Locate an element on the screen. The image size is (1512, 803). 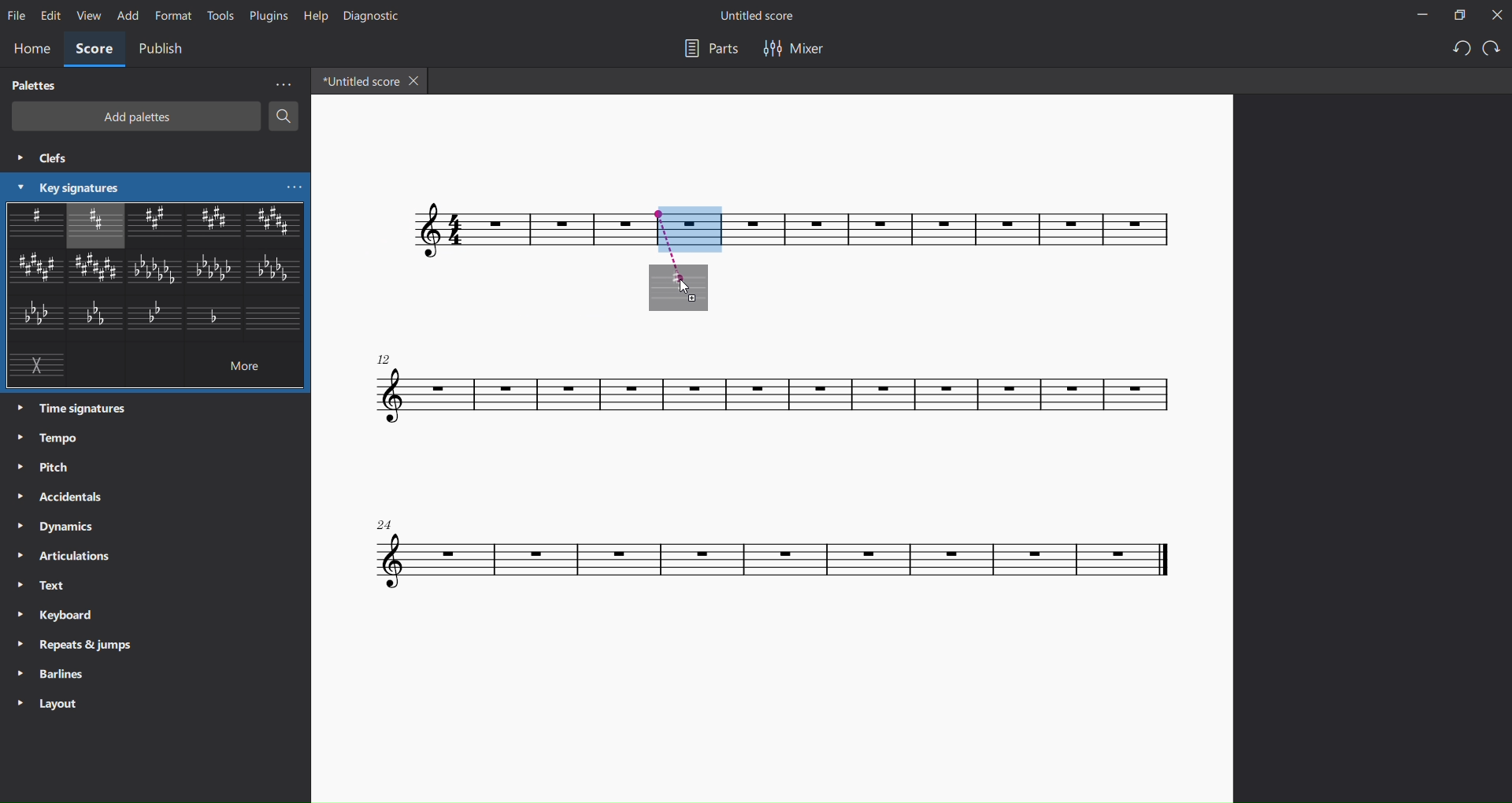
title is located at coordinates (757, 17).